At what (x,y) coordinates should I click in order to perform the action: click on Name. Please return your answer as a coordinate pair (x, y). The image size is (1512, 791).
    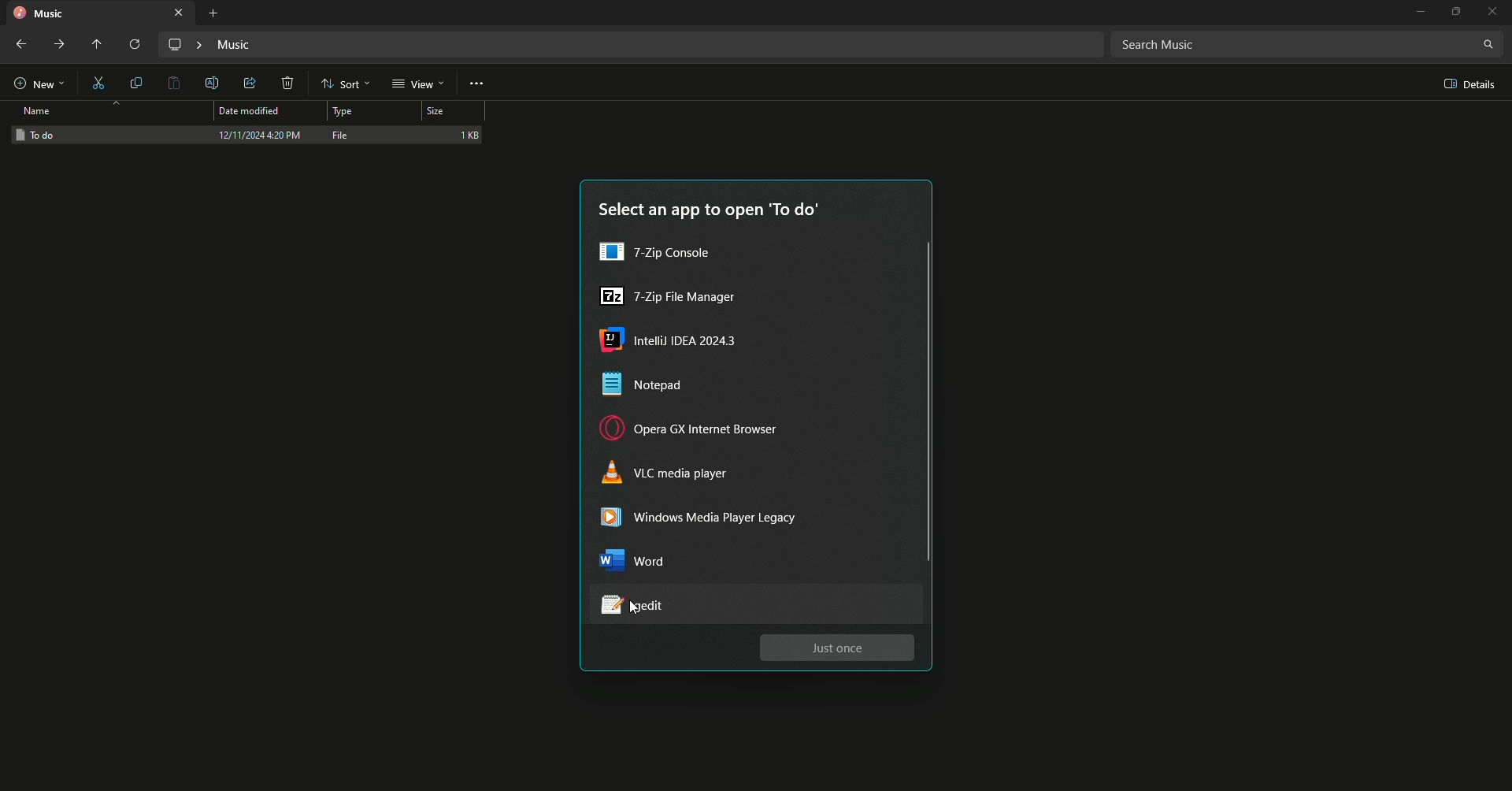
    Looking at the image, I should click on (39, 112).